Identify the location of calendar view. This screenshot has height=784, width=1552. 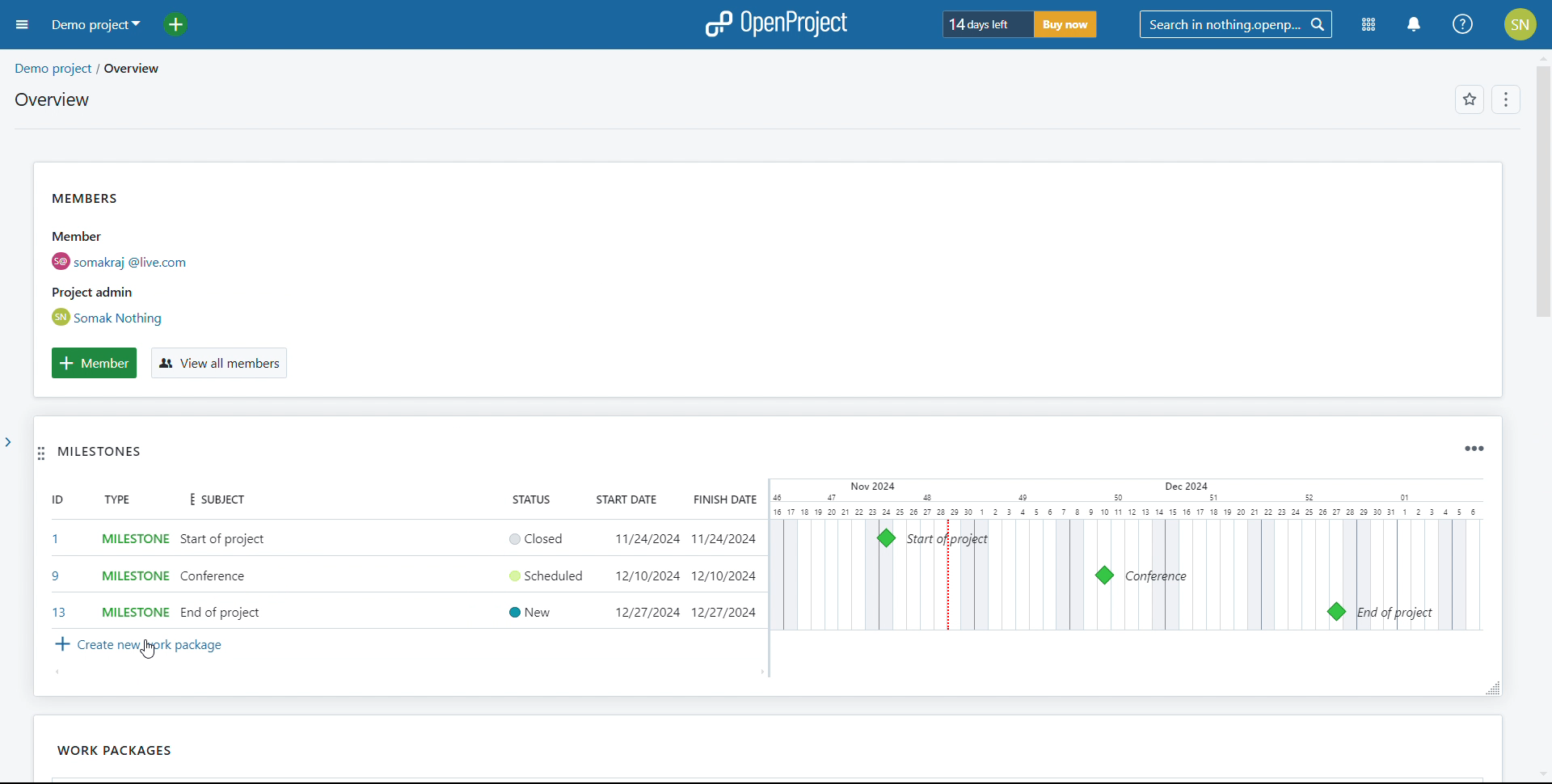
(1125, 554).